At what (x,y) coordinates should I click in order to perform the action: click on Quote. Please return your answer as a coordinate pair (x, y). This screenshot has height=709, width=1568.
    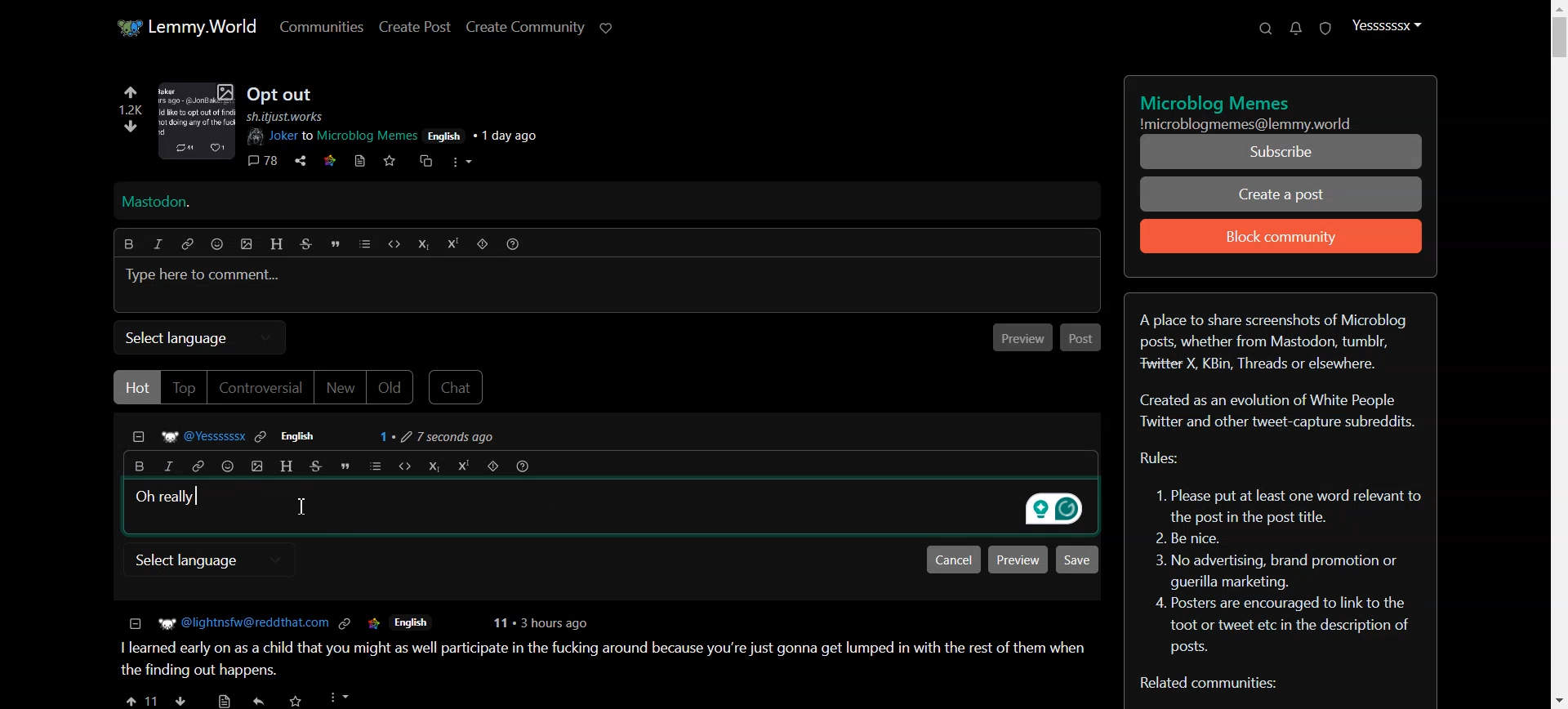
    Looking at the image, I should click on (336, 243).